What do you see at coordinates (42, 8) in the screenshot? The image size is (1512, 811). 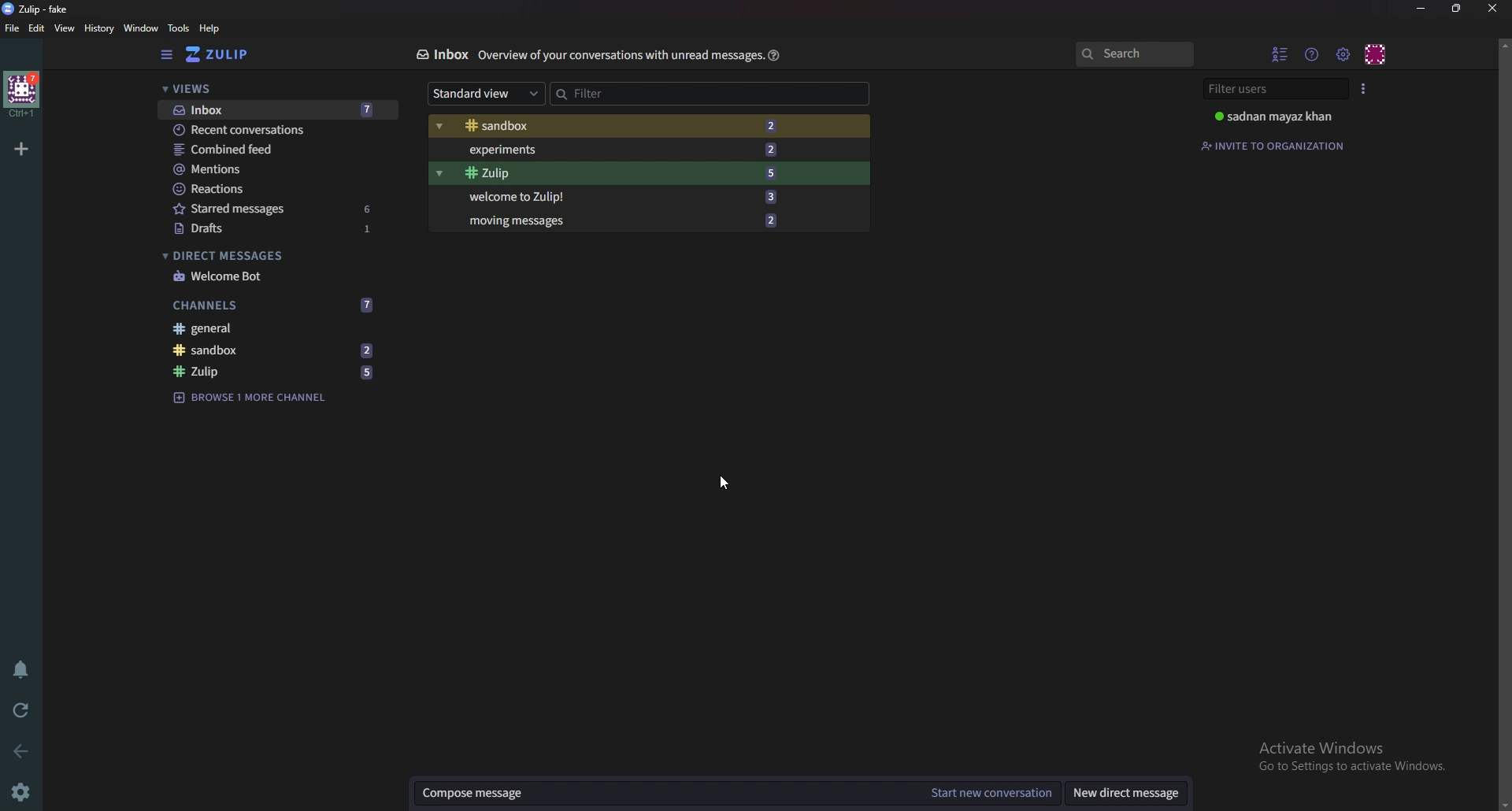 I see `zulip` at bounding box center [42, 8].